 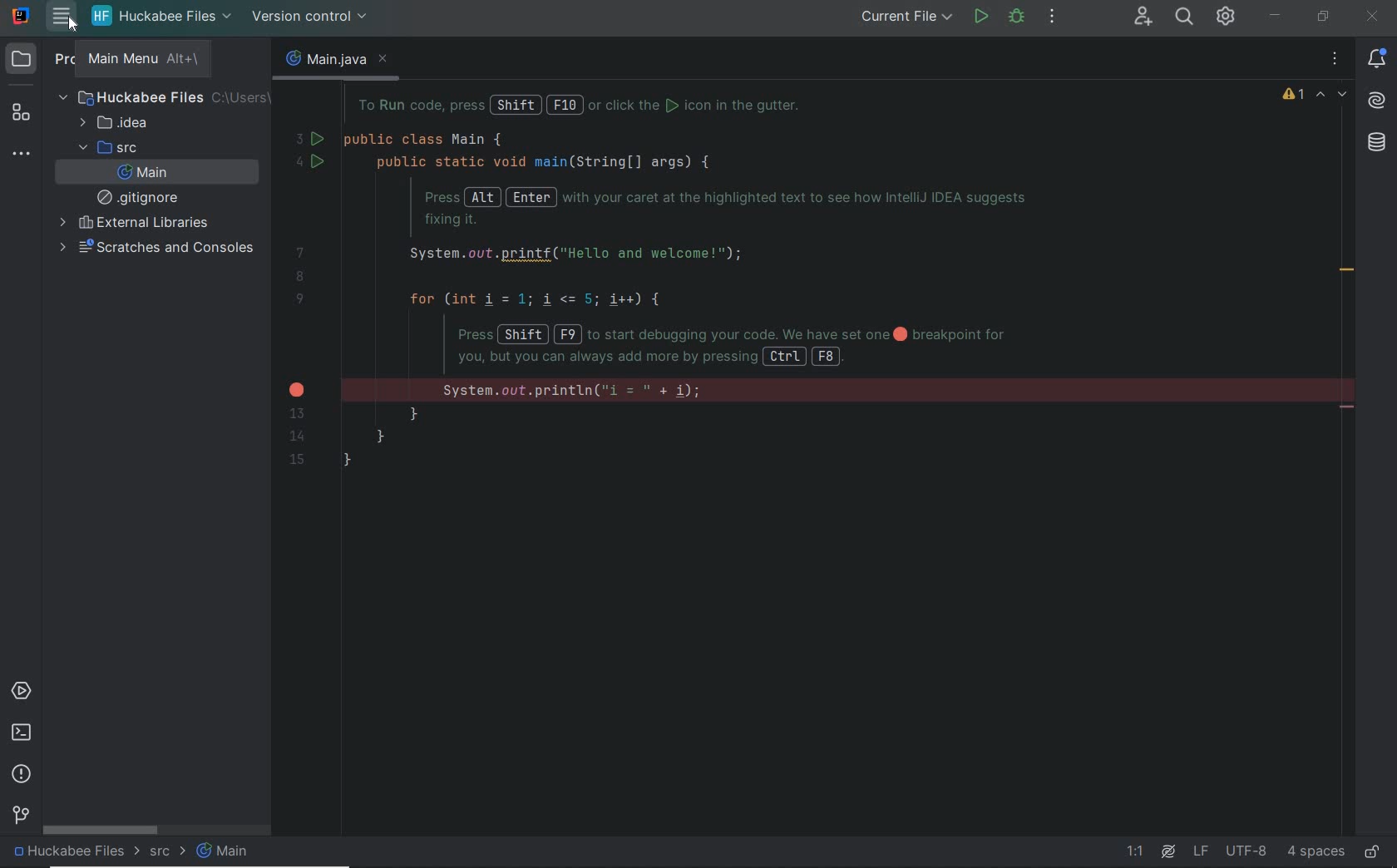 I want to click on version control, so click(x=311, y=17).